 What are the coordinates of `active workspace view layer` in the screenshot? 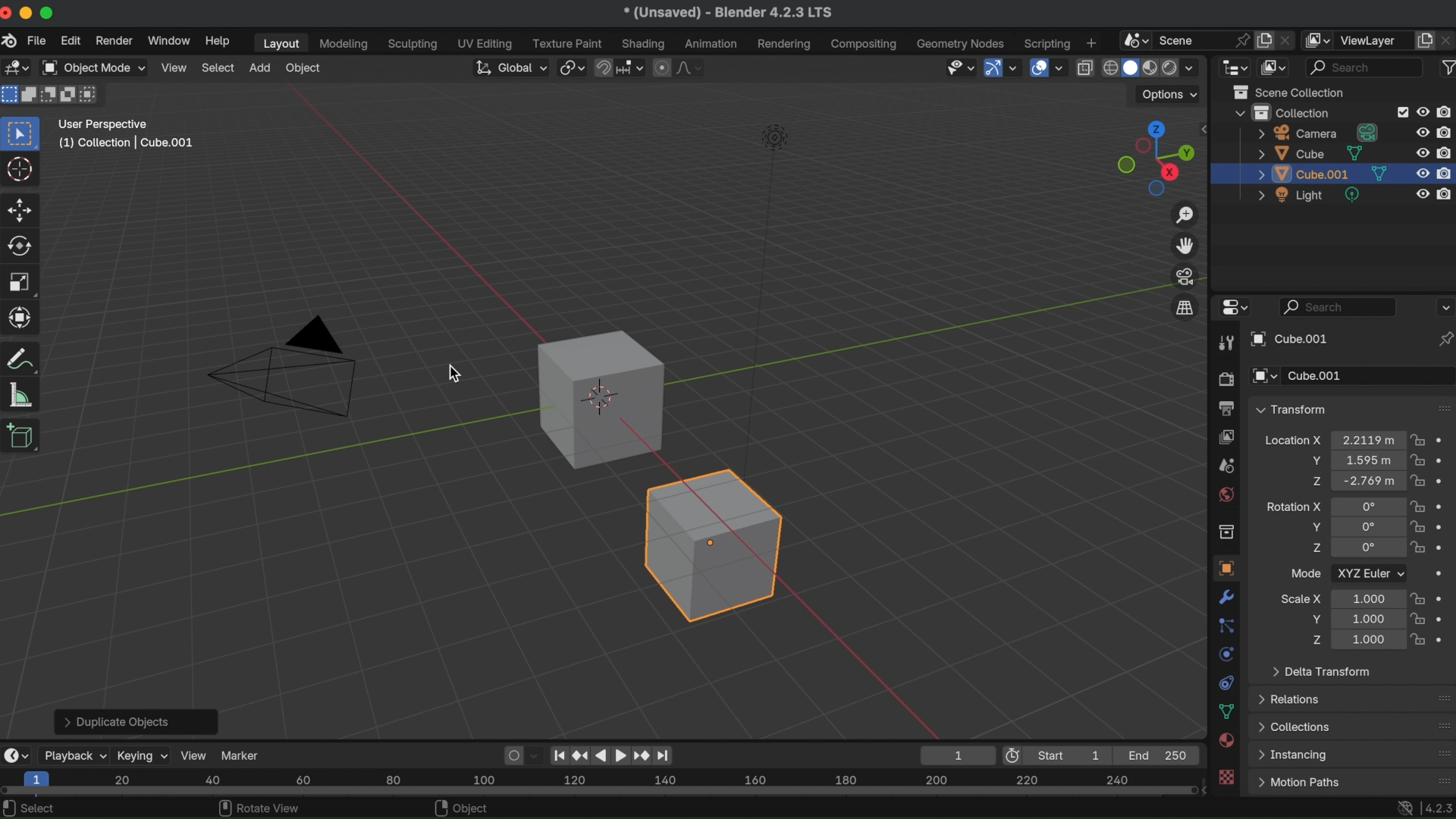 It's located at (1319, 39).